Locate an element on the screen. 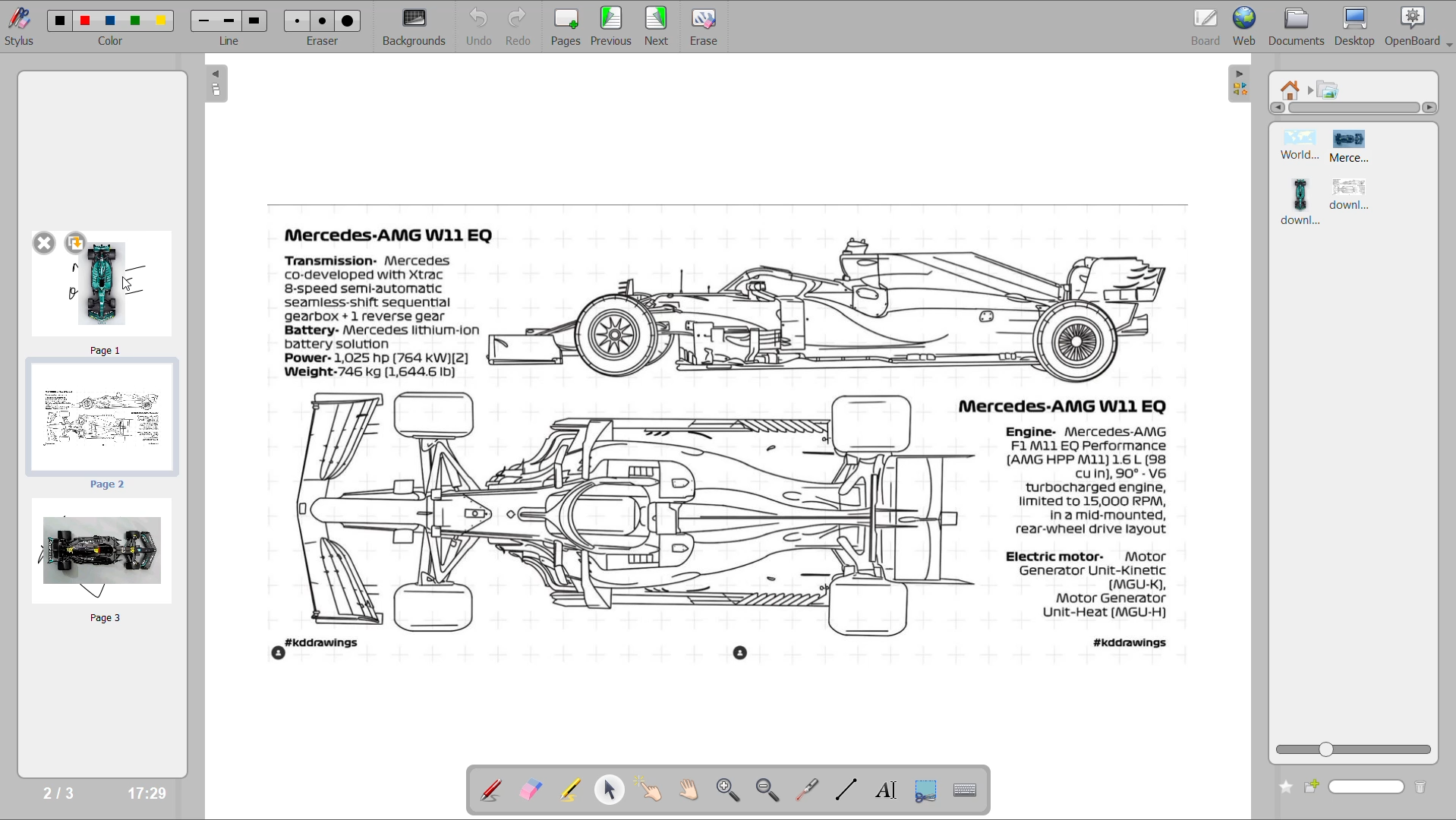  previous is located at coordinates (612, 27).